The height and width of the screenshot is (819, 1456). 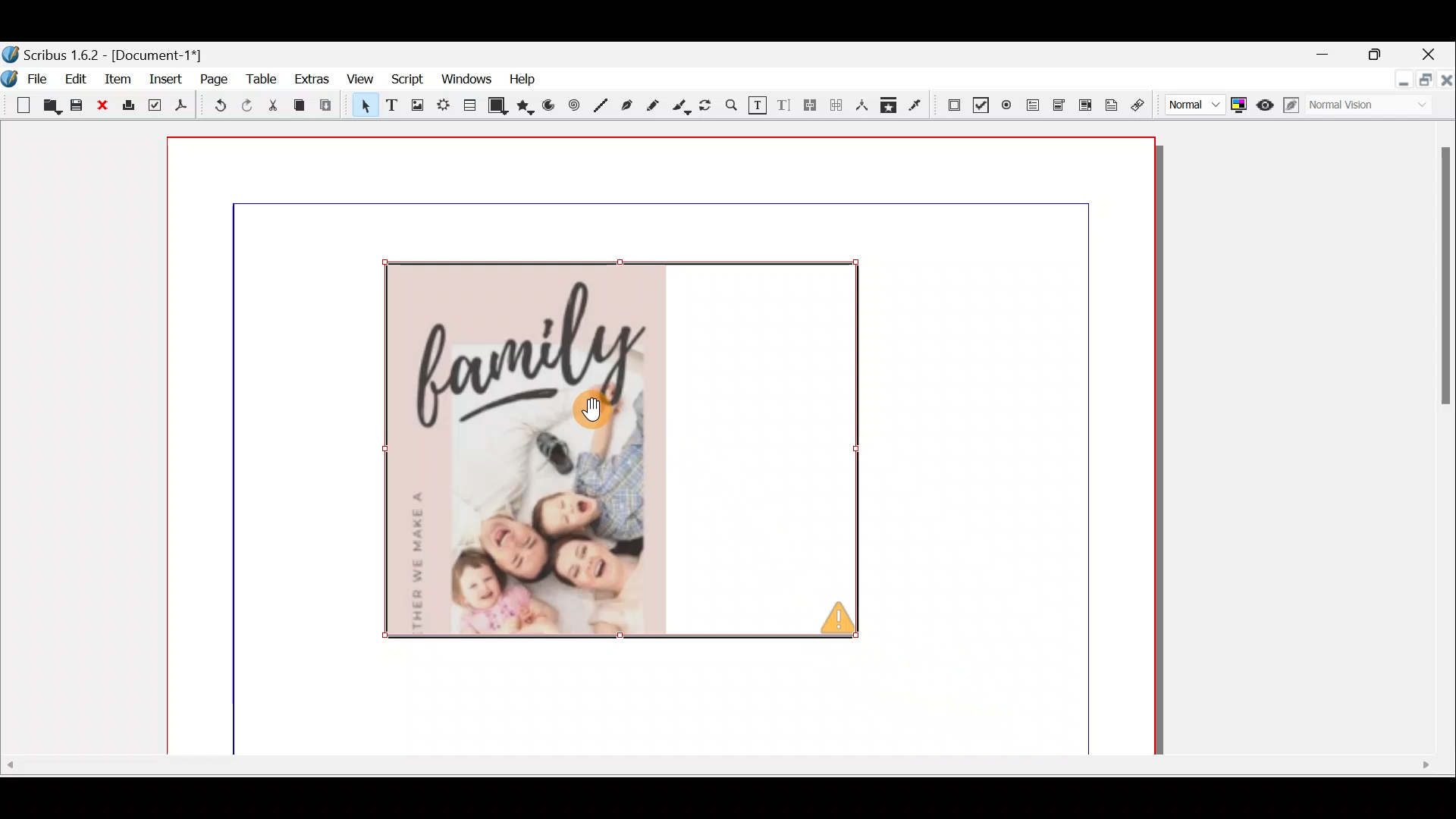 I want to click on PDF combo box, so click(x=1061, y=110).